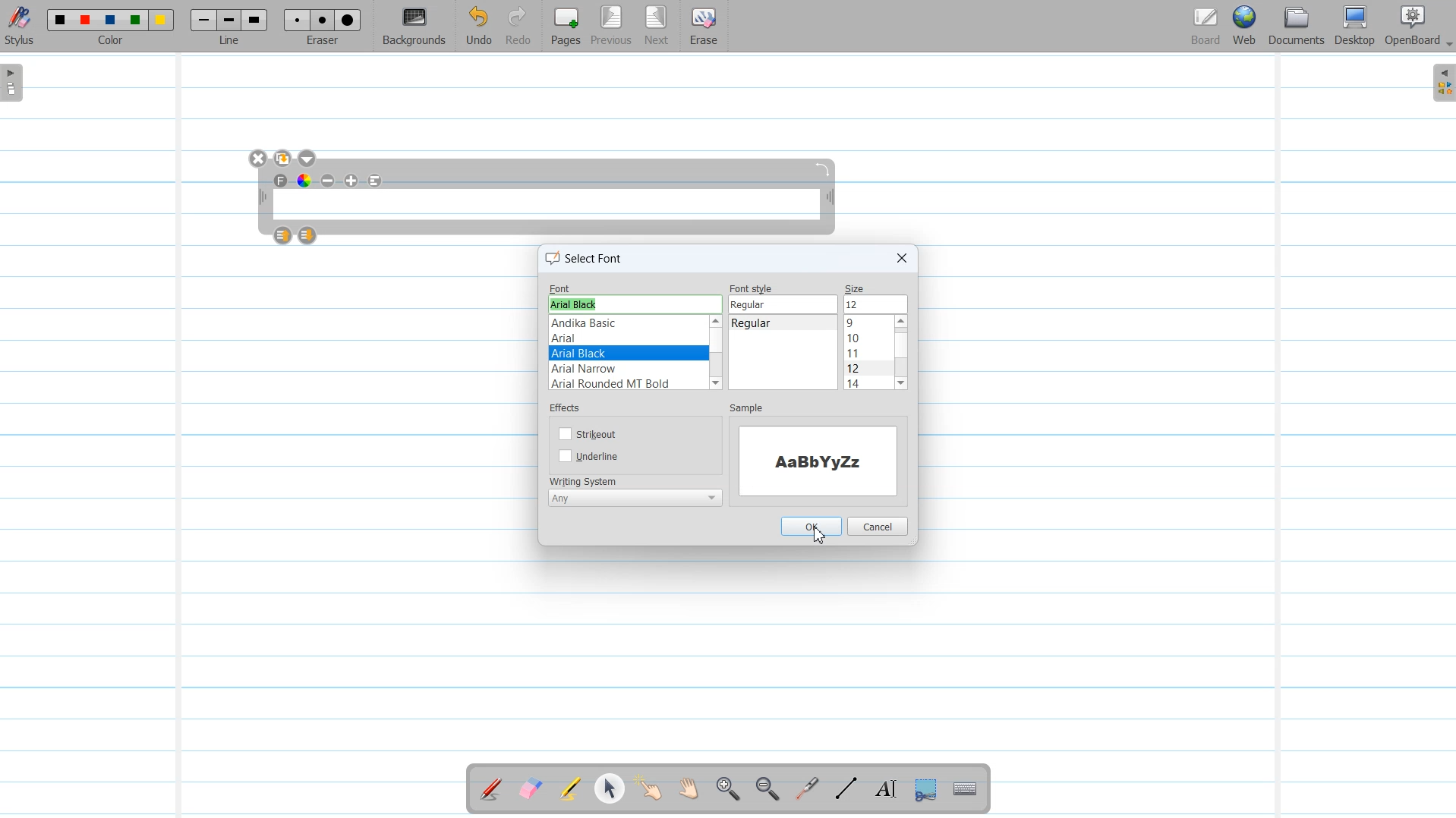 This screenshot has height=818, width=1456. Describe the element at coordinates (901, 353) in the screenshot. I see `Vertical scroll bar` at that location.